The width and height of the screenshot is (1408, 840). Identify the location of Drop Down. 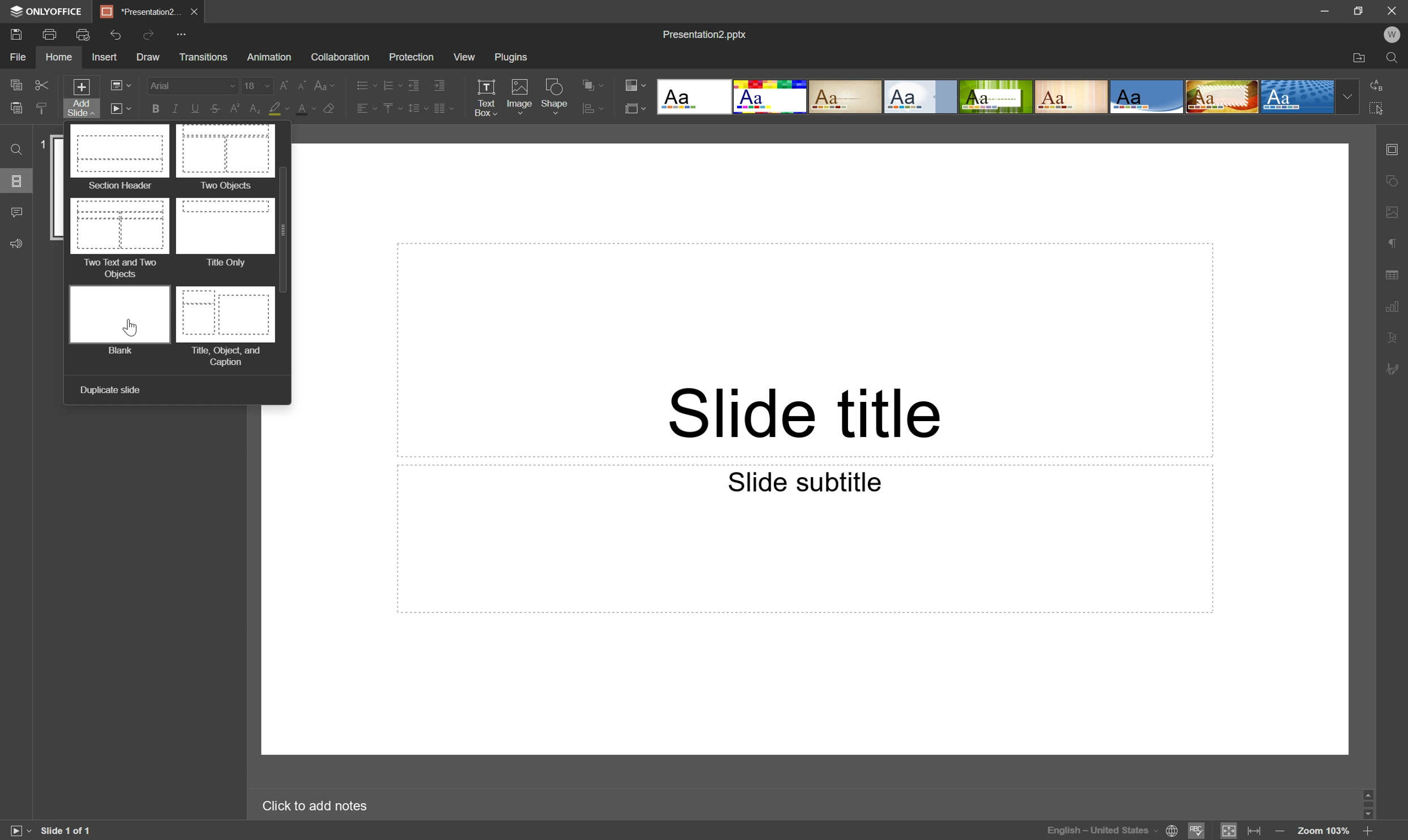
(1346, 97).